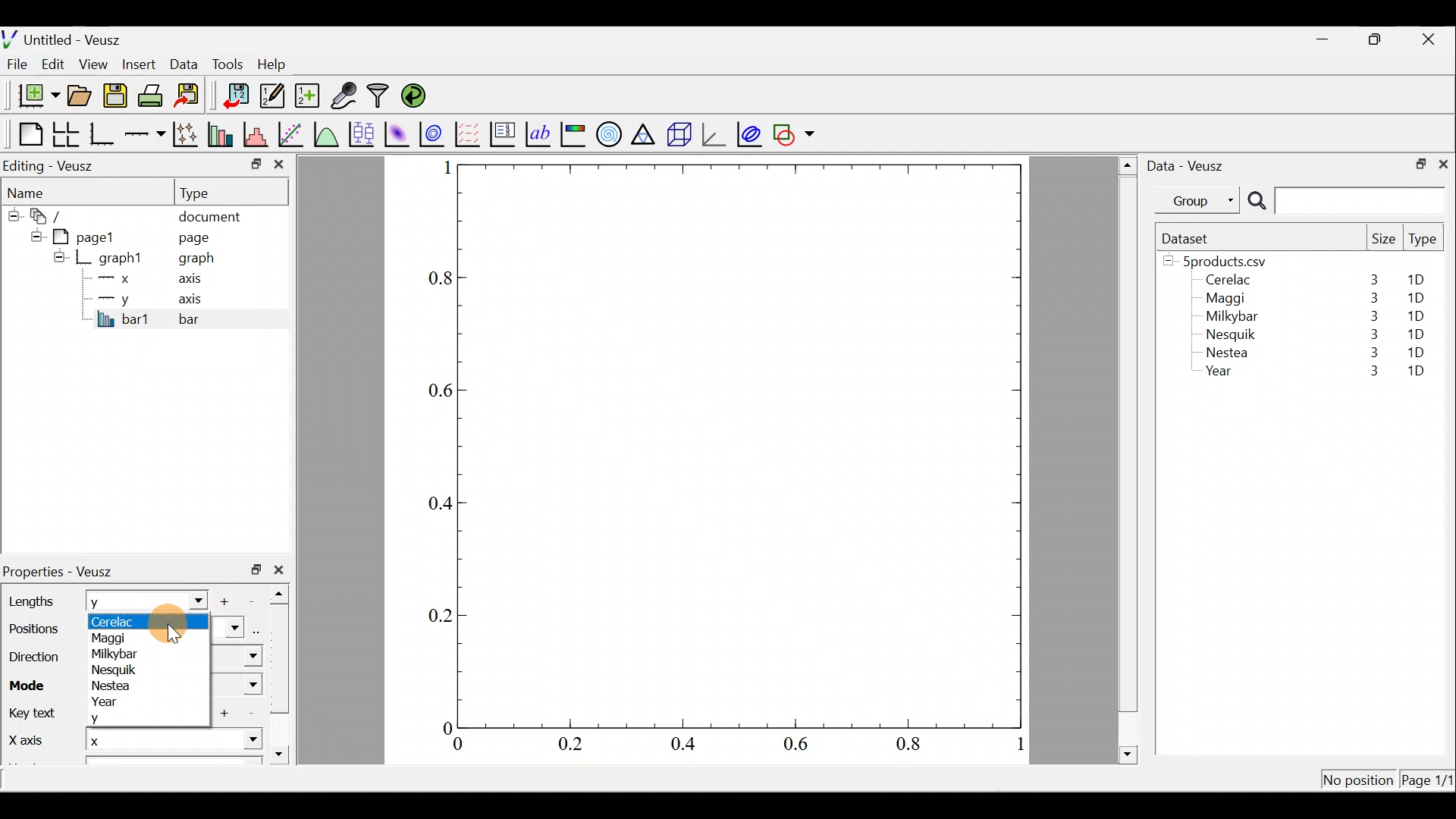 The image size is (1456, 819). Describe the element at coordinates (188, 135) in the screenshot. I see `Plot points with lines and error bars` at that location.